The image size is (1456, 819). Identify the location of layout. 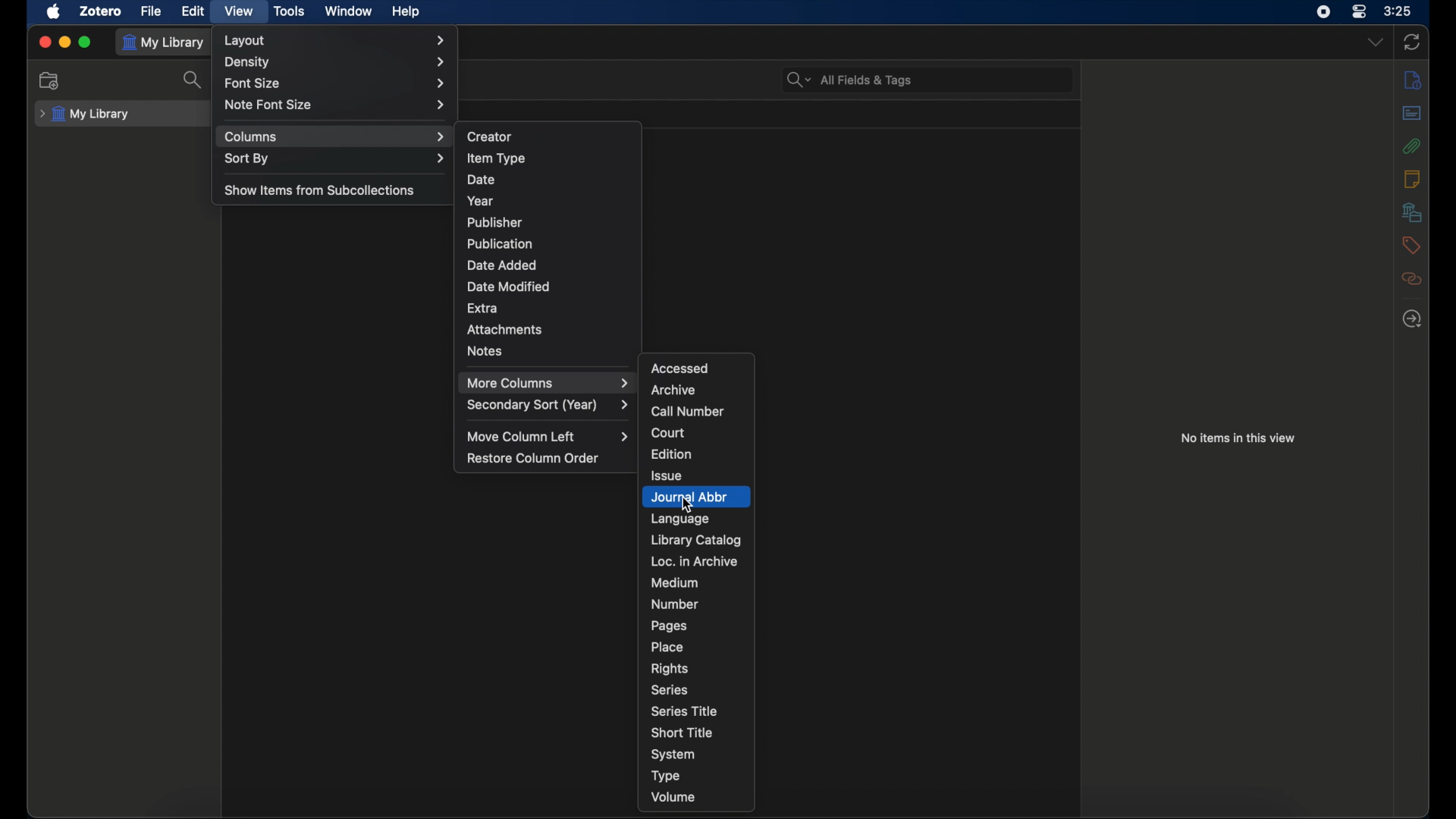
(336, 40).